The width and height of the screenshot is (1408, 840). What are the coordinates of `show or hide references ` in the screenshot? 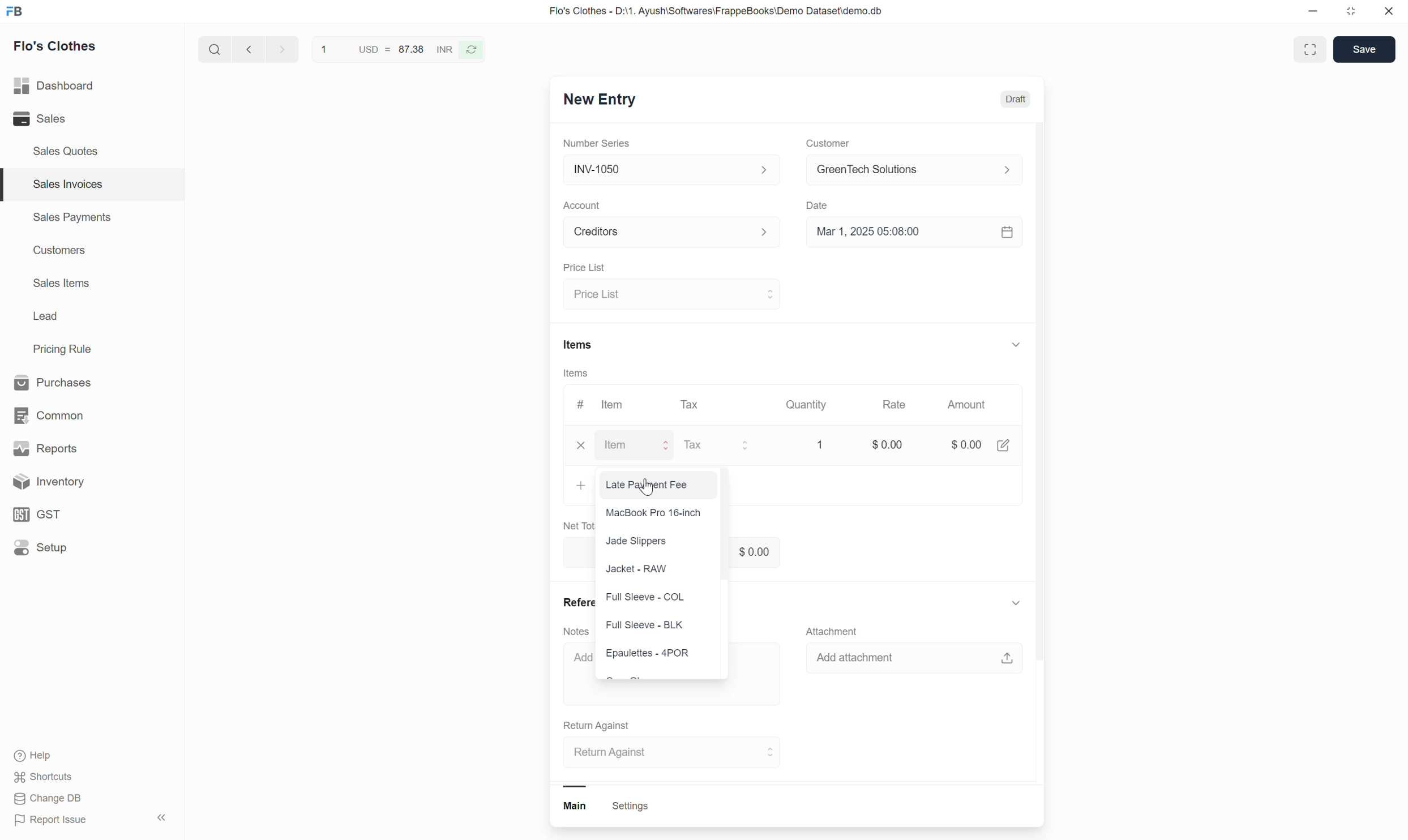 It's located at (1017, 606).